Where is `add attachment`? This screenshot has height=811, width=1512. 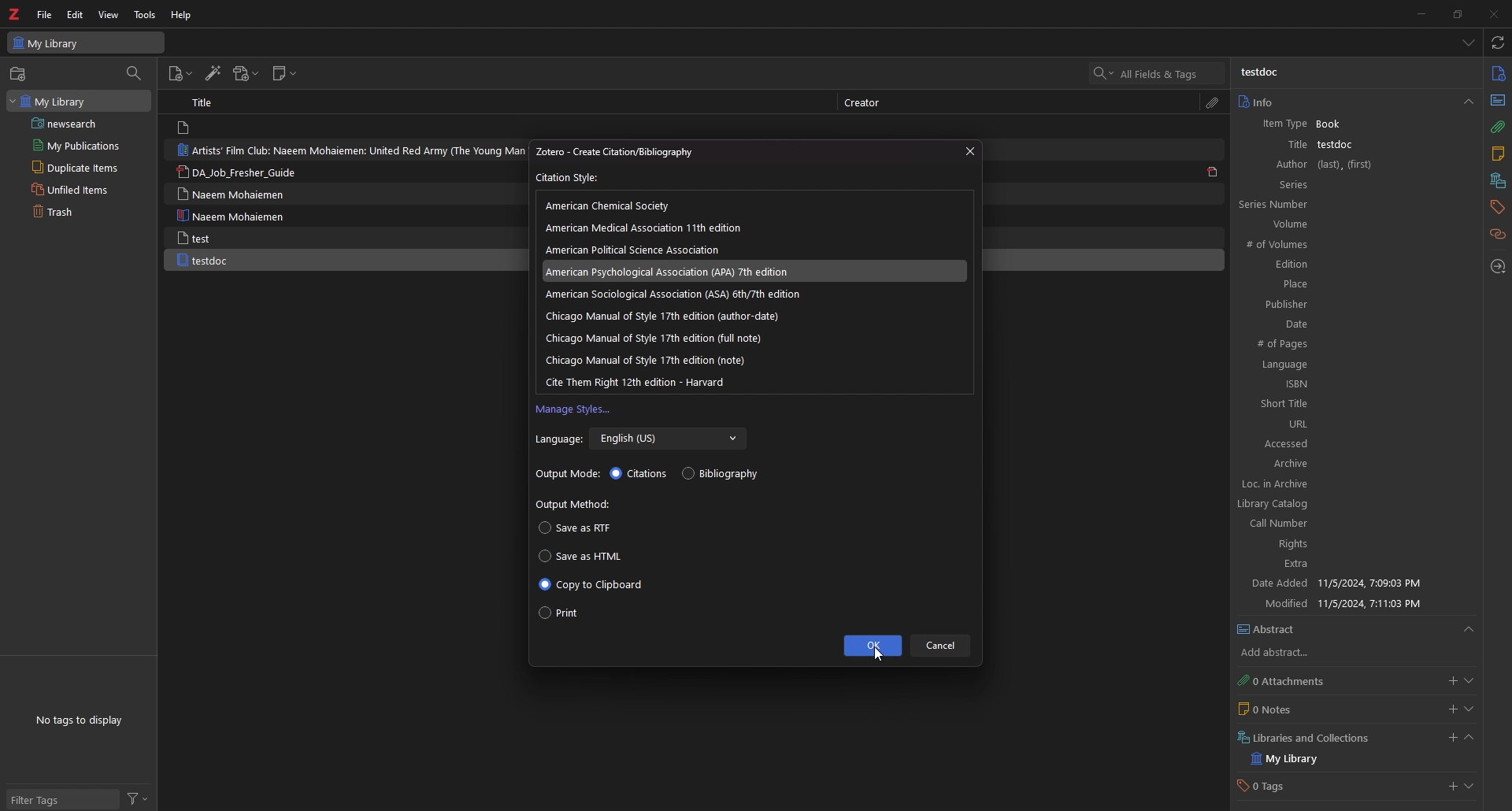 add attachment is located at coordinates (245, 74).